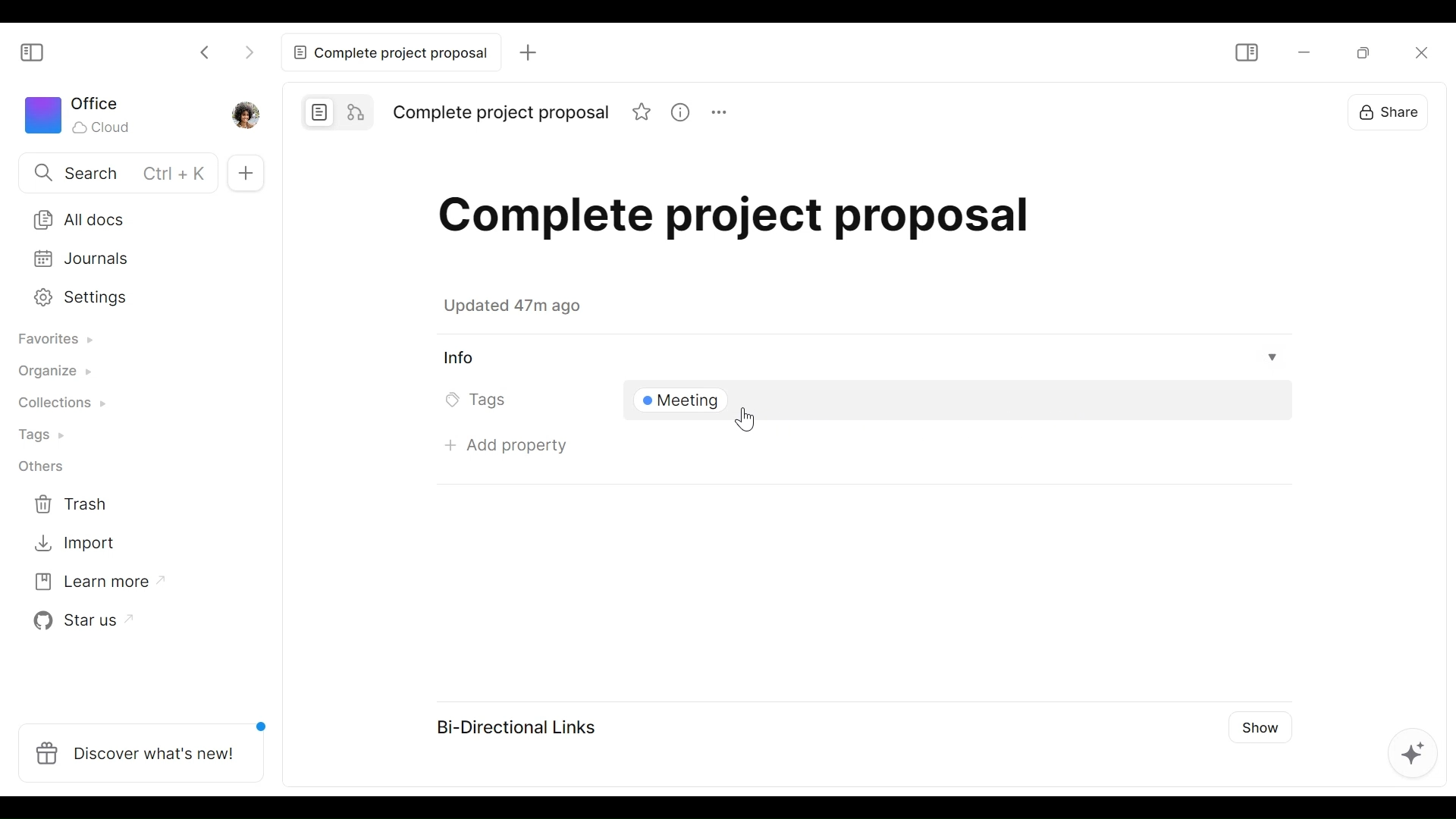 This screenshot has width=1456, height=819. What do you see at coordinates (1248, 52) in the screenshot?
I see `Show/Hide Sidebar` at bounding box center [1248, 52].